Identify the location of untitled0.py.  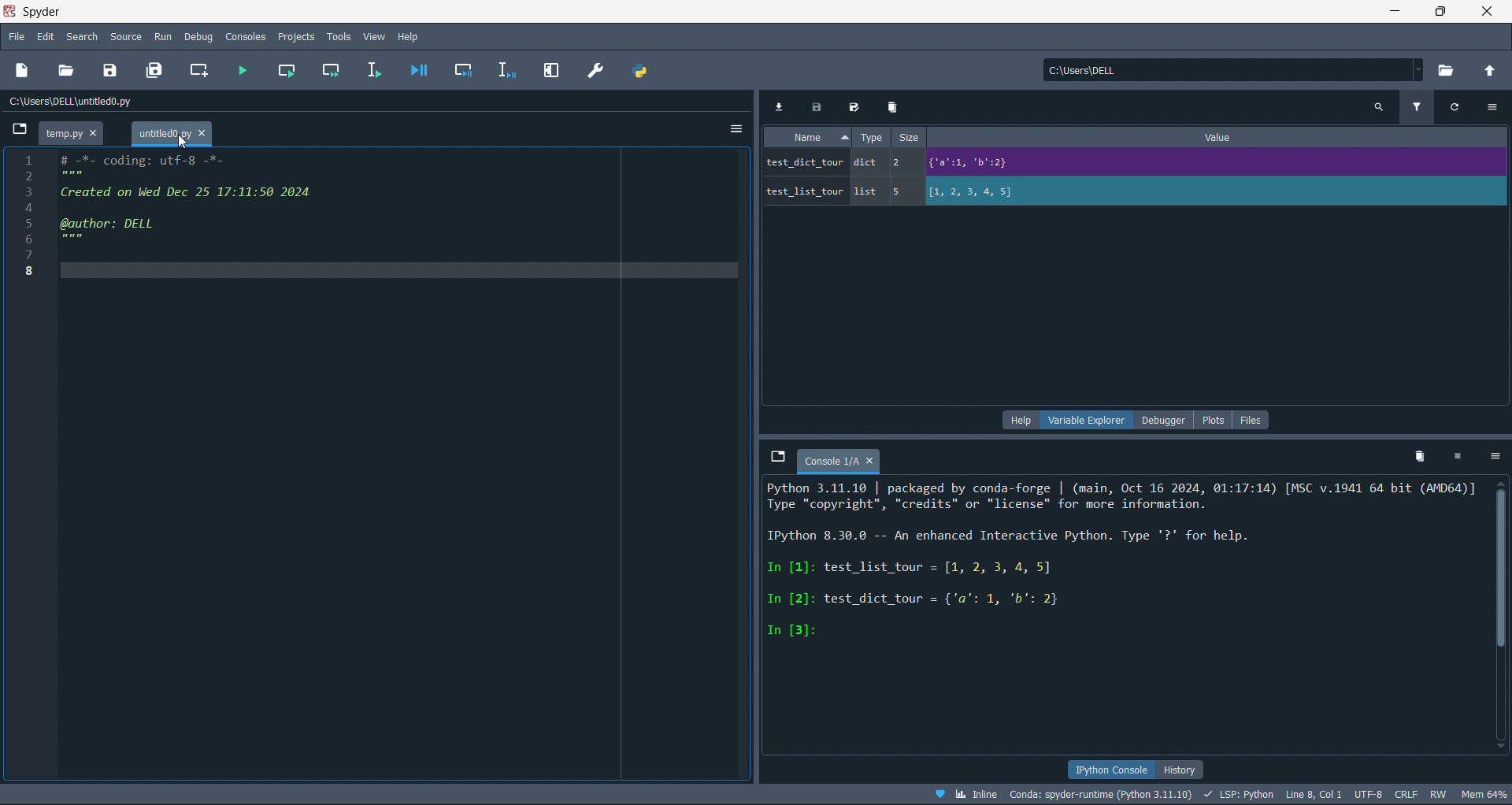
(79, 132).